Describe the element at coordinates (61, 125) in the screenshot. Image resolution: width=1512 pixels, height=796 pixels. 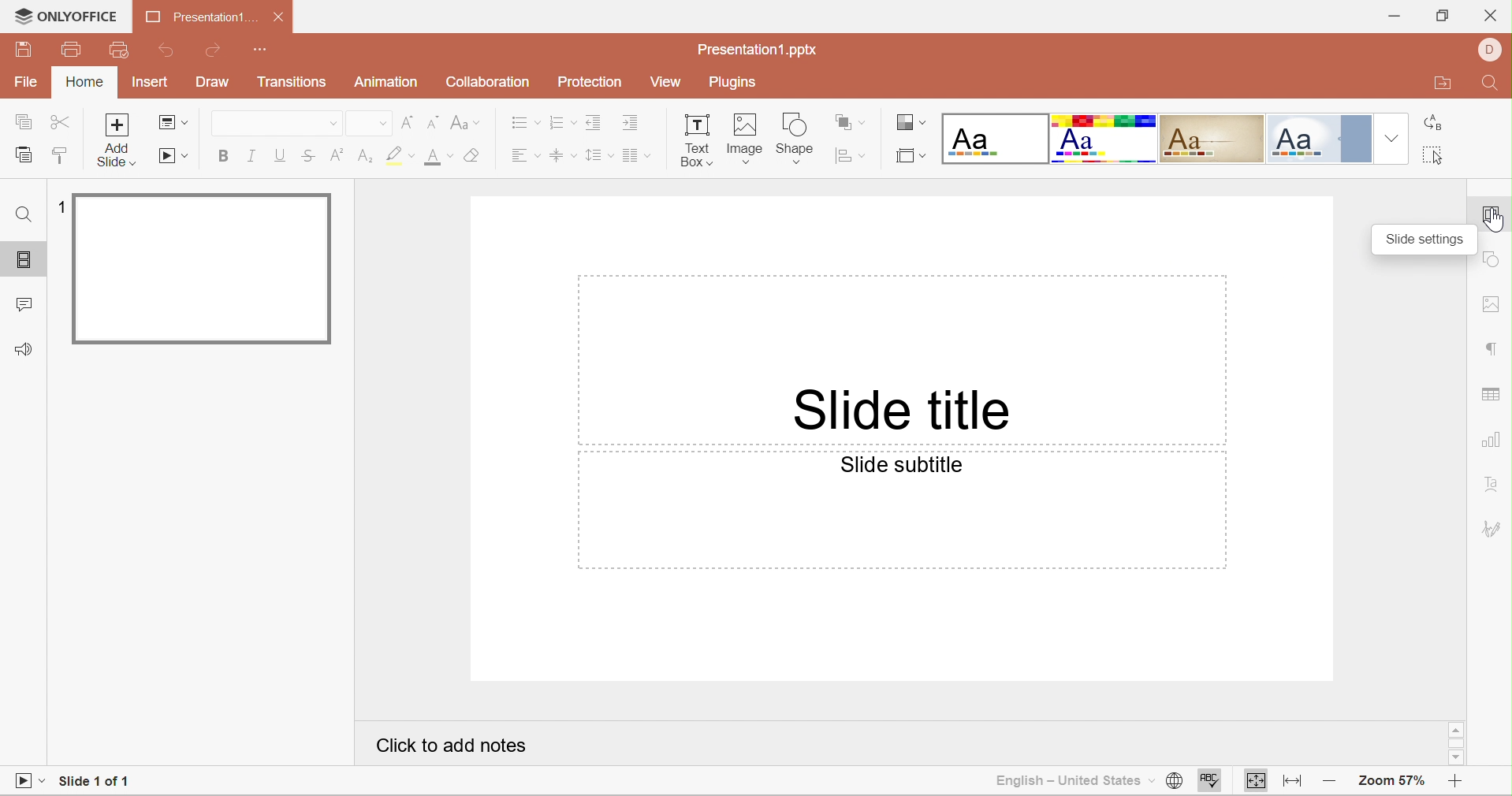
I see `Cut` at that location.